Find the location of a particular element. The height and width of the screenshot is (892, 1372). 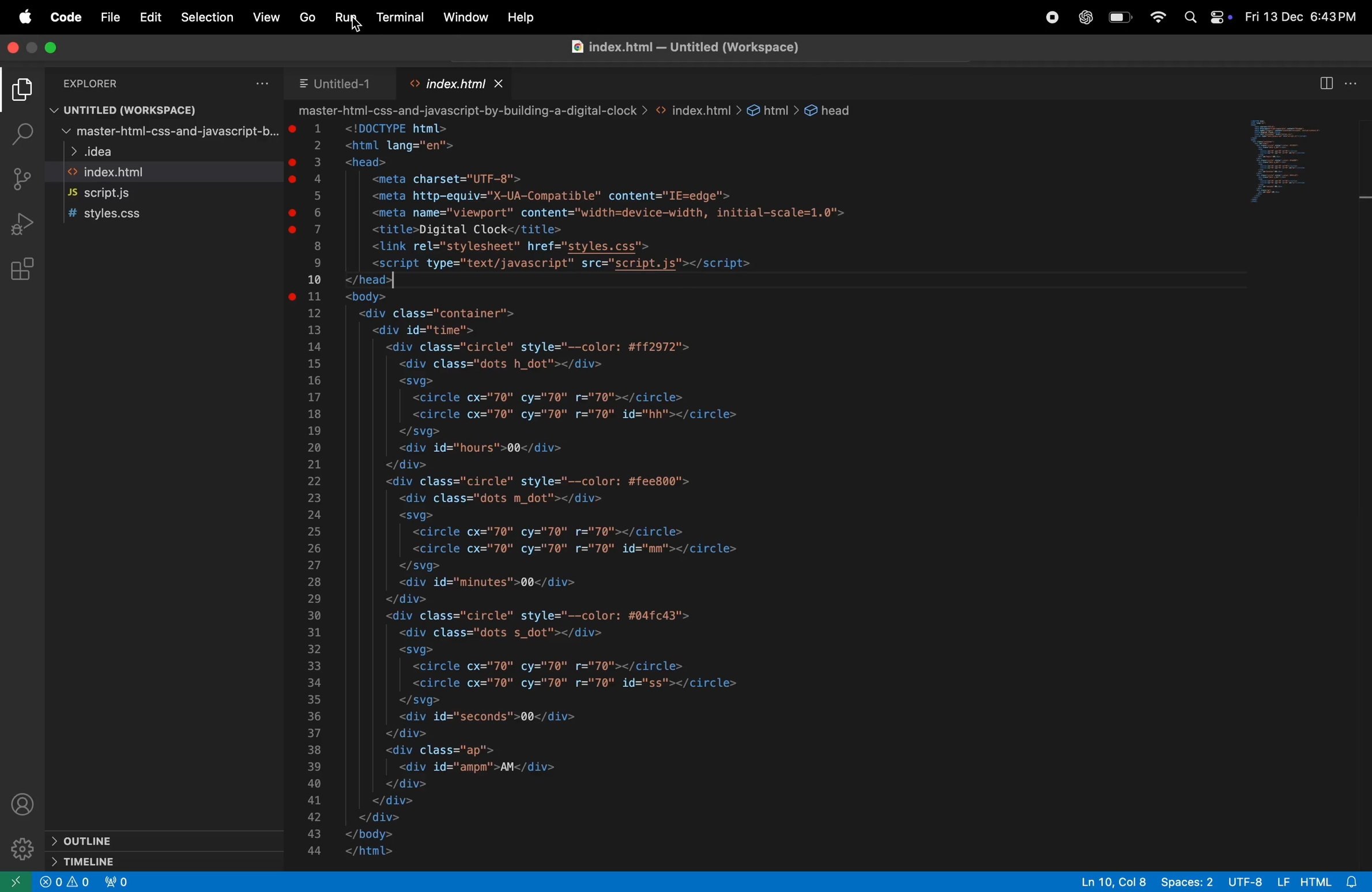

untitled work space is located at coordinates (125, 110).